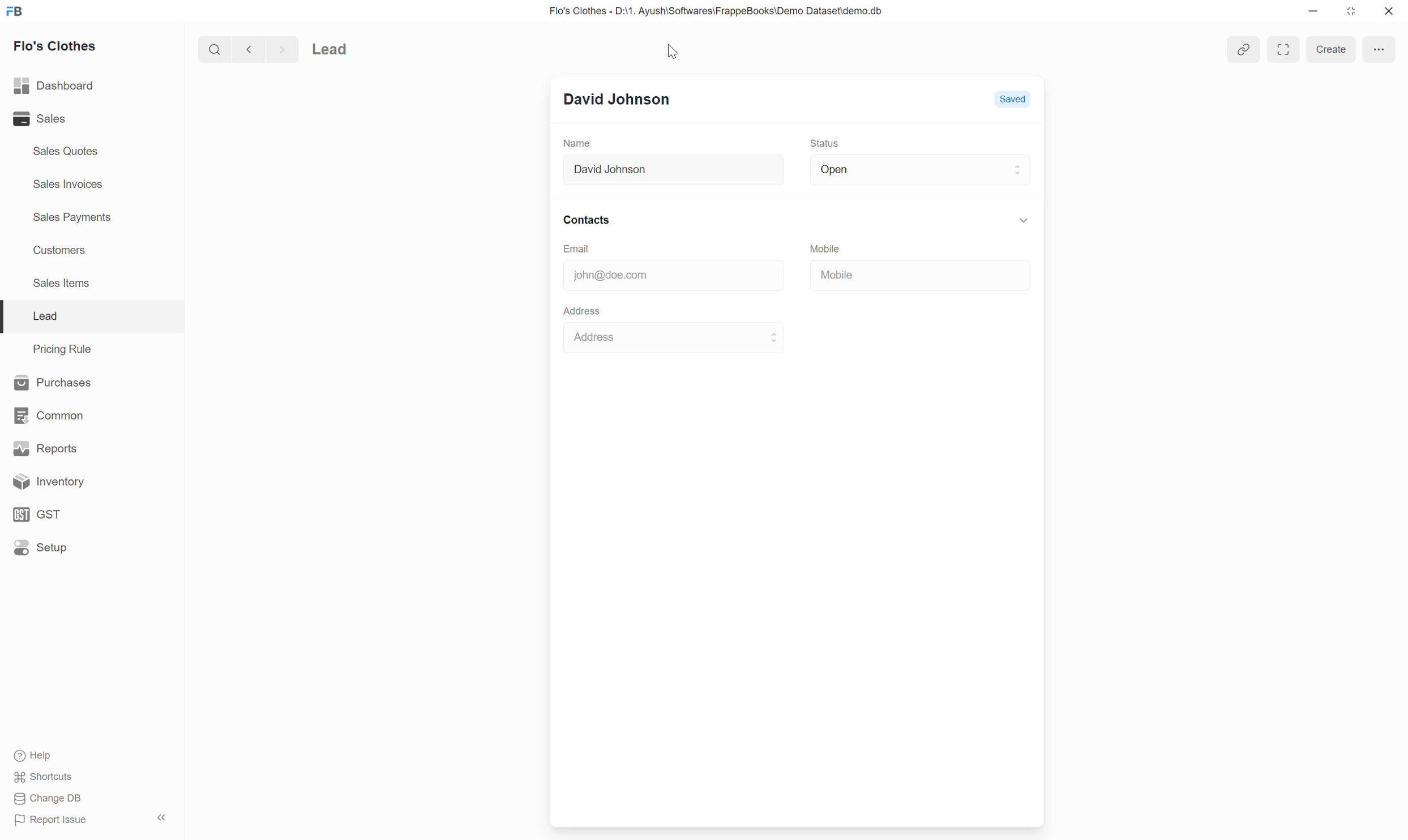 The height and width of the screenshot is (840, 1408). Describe the element at coordinates (45, 775) in the screenshot. I see `$f Shortcuts` at that location.